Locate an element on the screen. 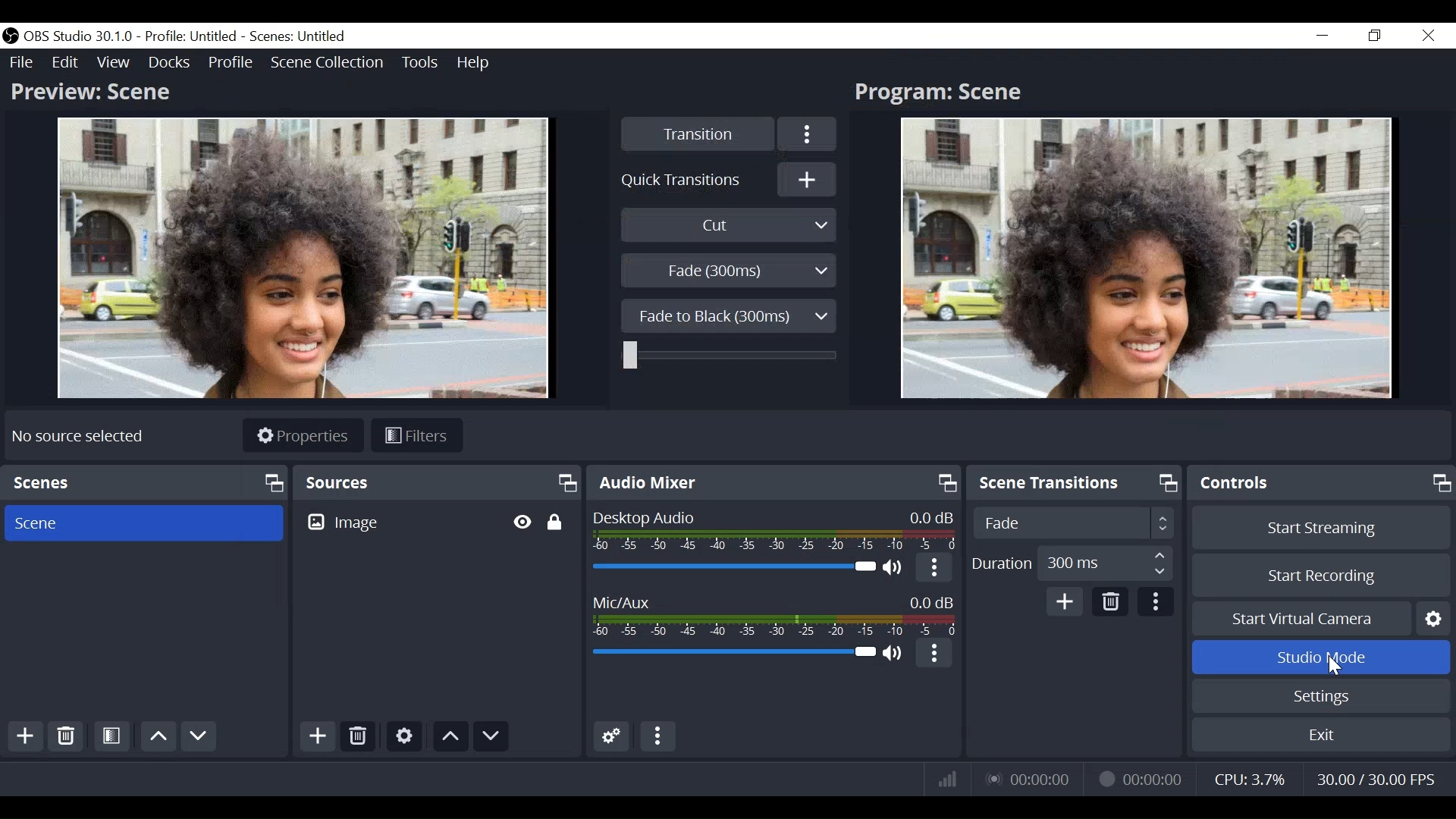  Add Quick Transition is located at coordinates (804, 182).